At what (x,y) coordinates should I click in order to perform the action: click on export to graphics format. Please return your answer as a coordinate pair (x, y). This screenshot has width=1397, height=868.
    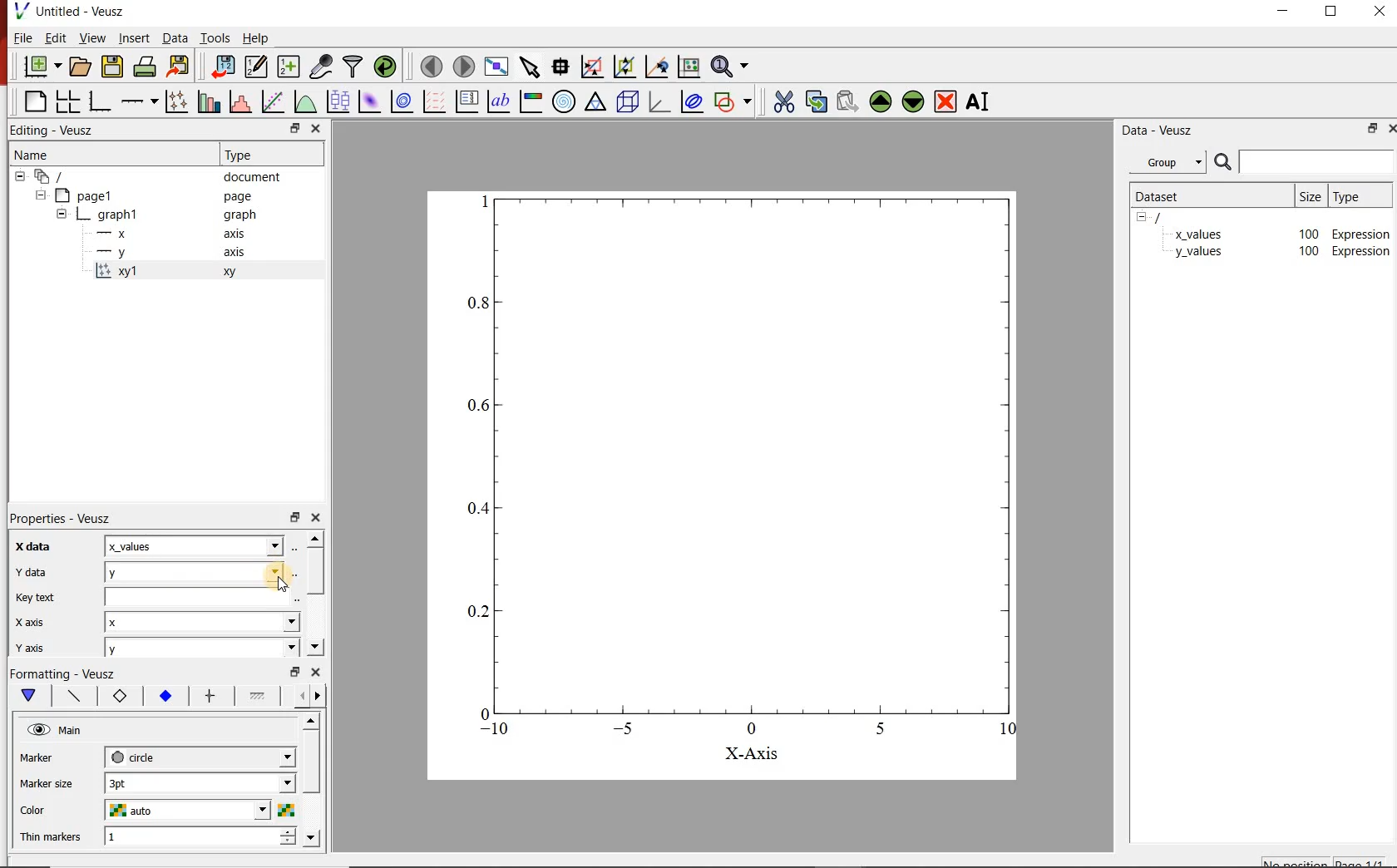
    Looking at the image, I should click on (180, 66).